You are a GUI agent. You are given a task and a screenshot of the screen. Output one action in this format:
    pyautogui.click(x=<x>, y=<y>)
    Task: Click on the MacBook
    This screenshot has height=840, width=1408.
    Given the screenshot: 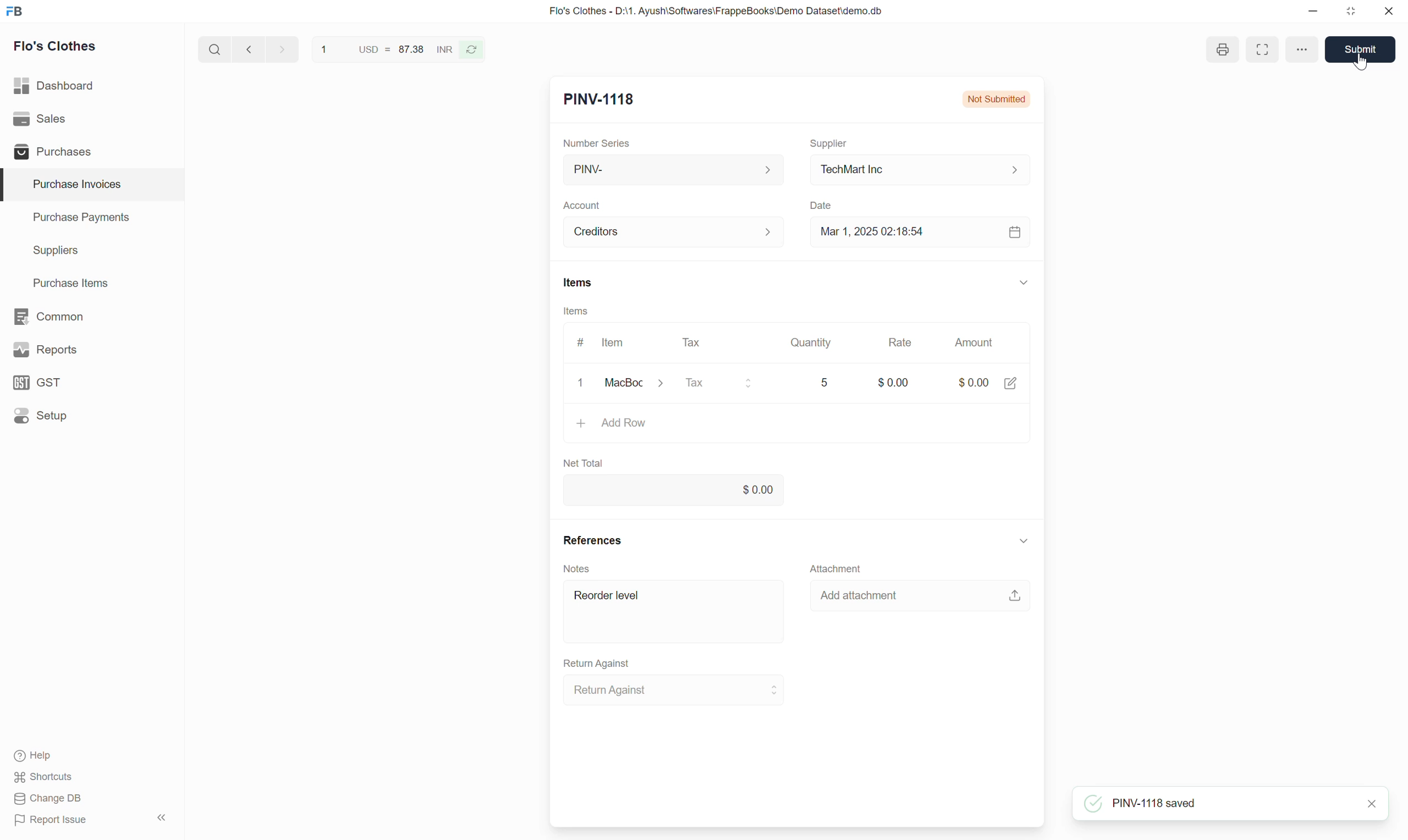 What is the action you would take?
    pyautogui.click(x=640, y=383)
    